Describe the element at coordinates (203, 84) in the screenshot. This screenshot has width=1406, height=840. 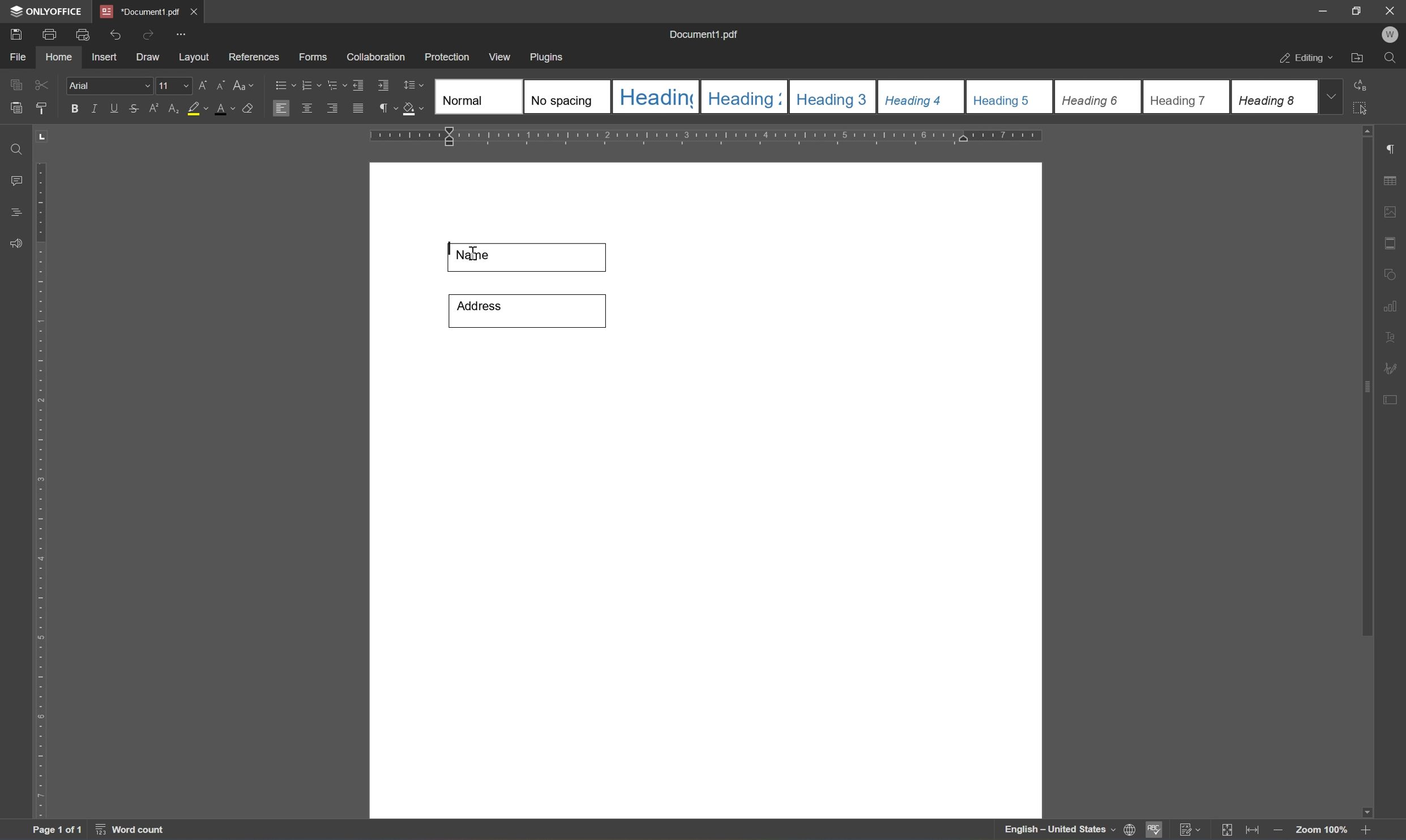
I see `increment font size` at that location.